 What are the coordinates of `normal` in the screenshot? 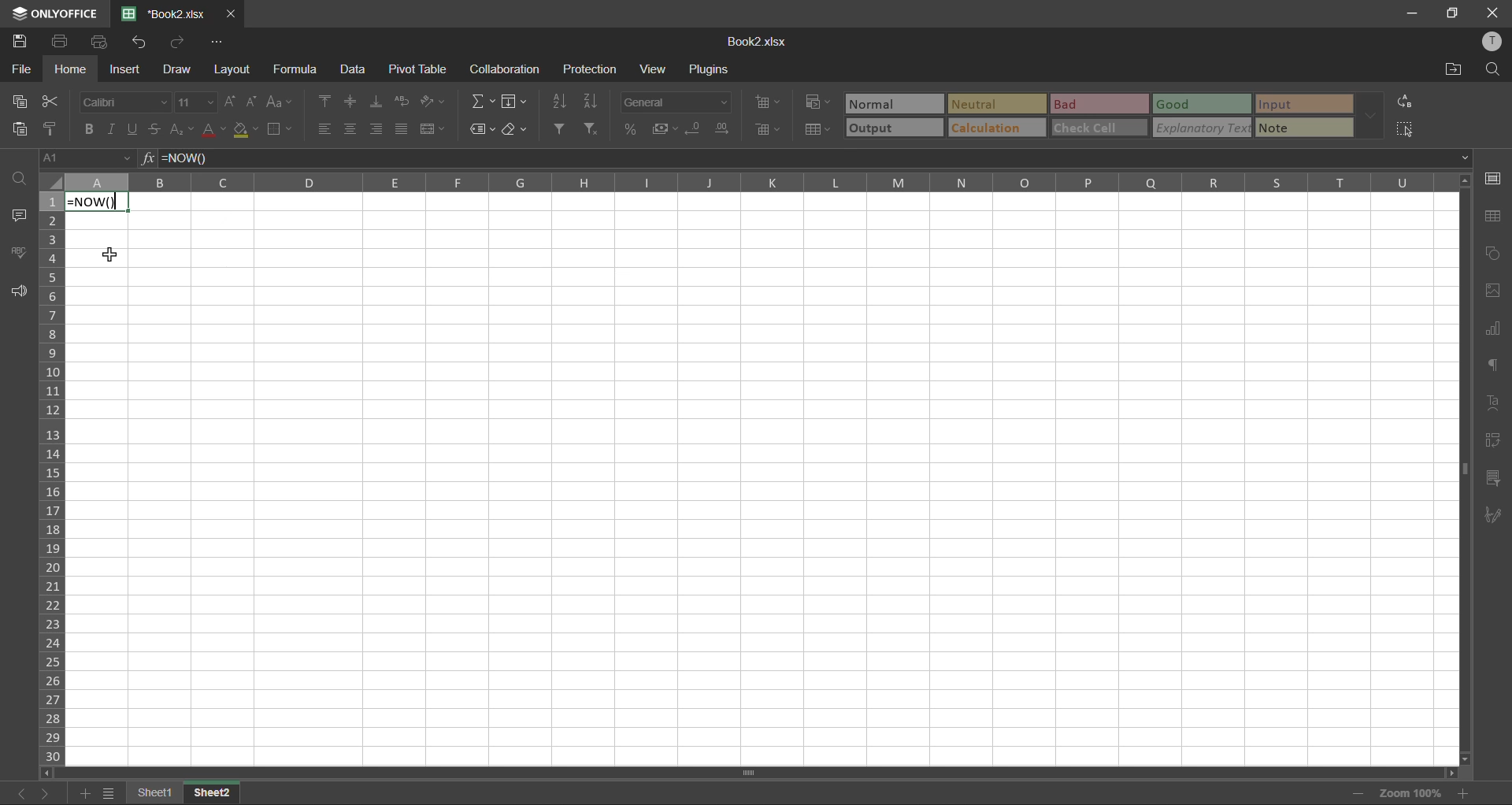 It's located at (896, 103).